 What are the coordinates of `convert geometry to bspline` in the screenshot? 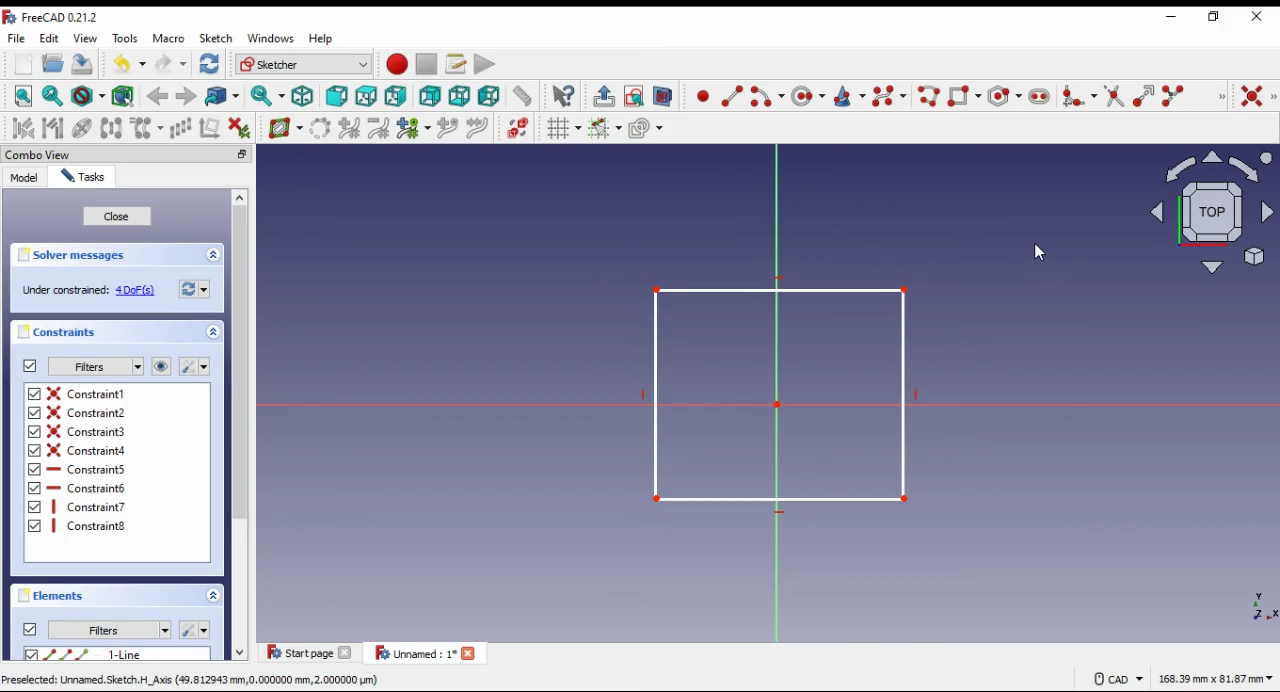 It's located at (321, 129).